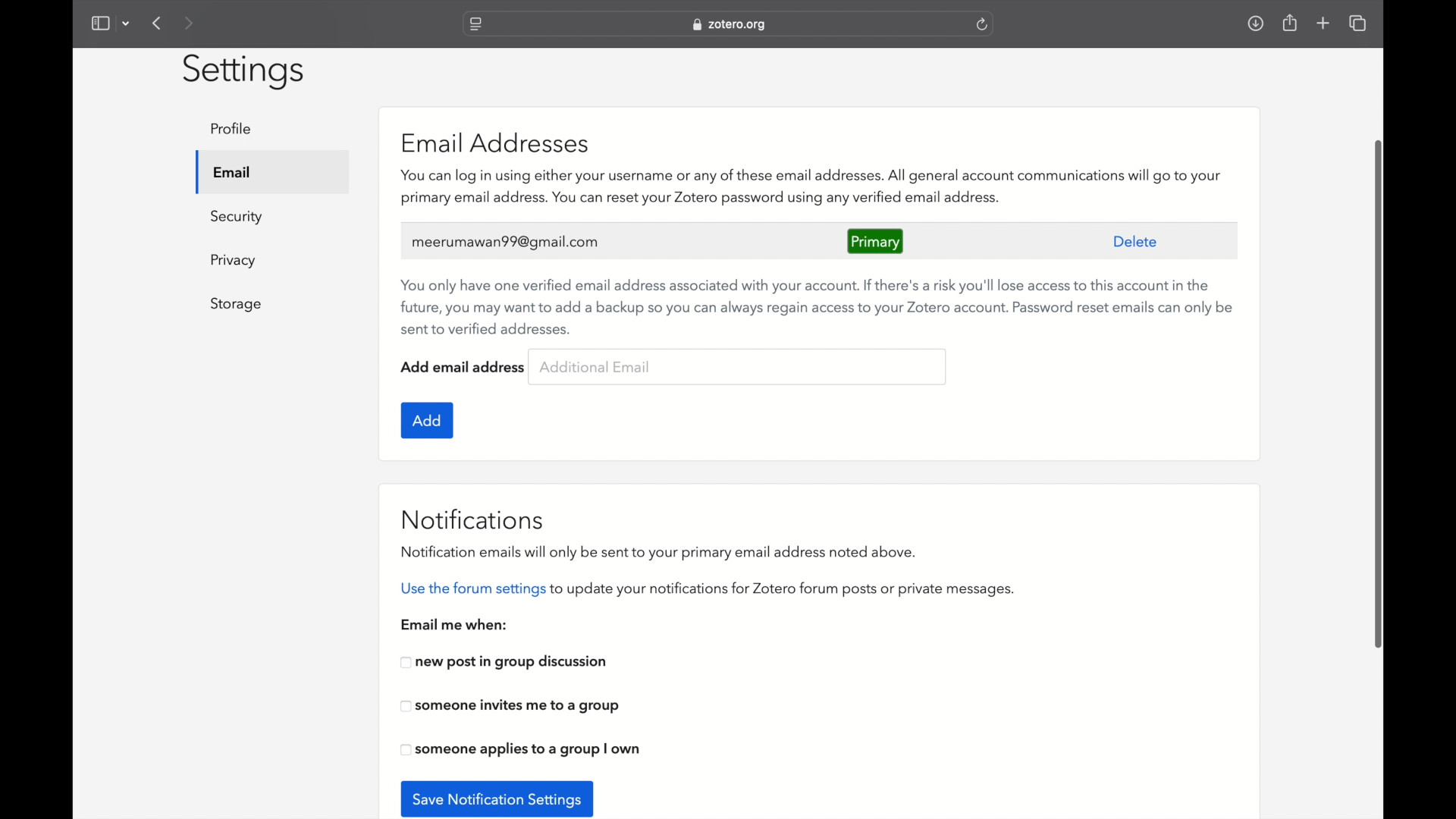  What do you see at coordinates (1359, 23) in the screenshot?
I see `show tab overview` at bounding box center [1359, 23].